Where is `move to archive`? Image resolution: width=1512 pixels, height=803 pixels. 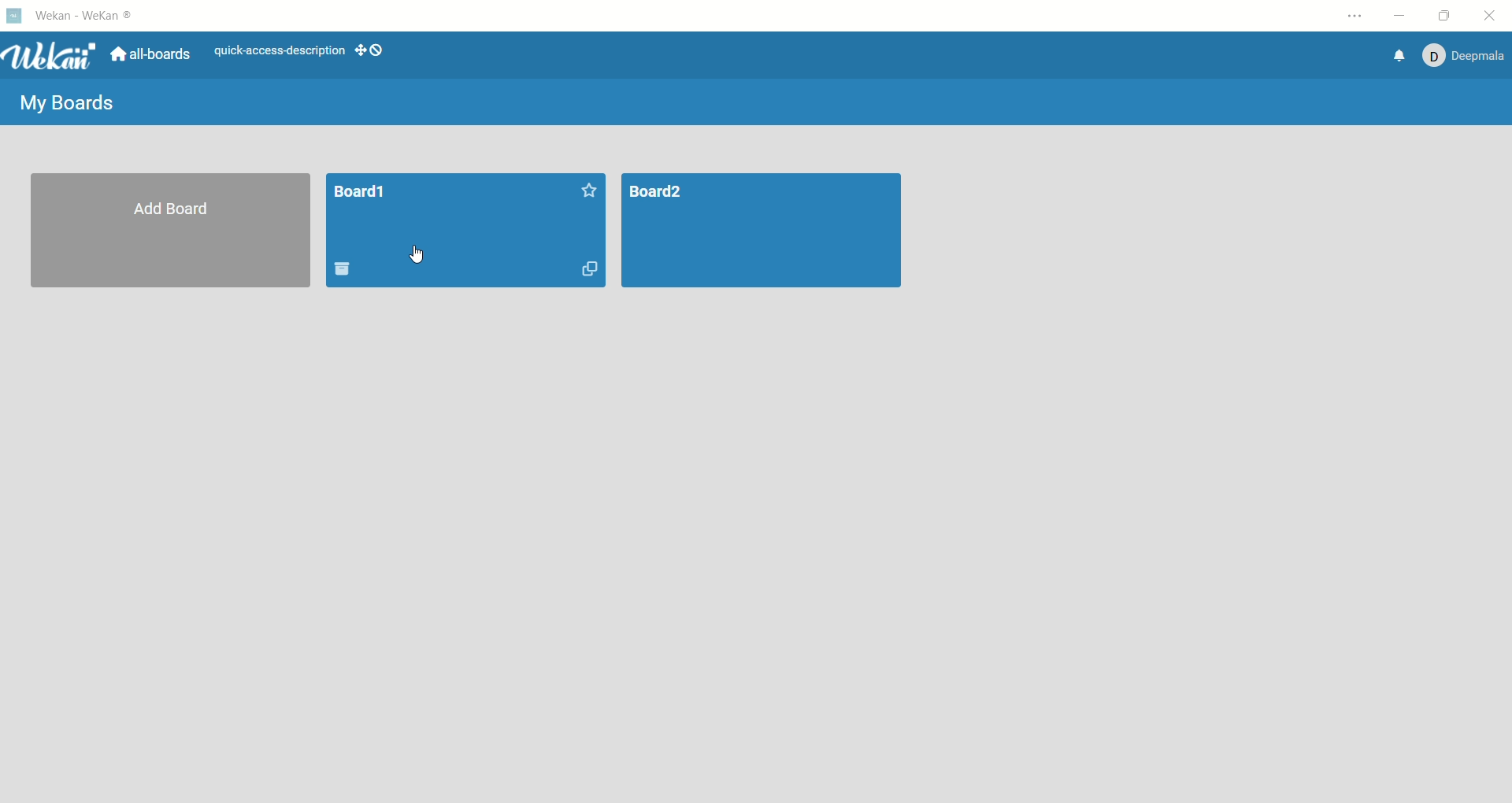
move to archive is located at coordinates (343, 268).